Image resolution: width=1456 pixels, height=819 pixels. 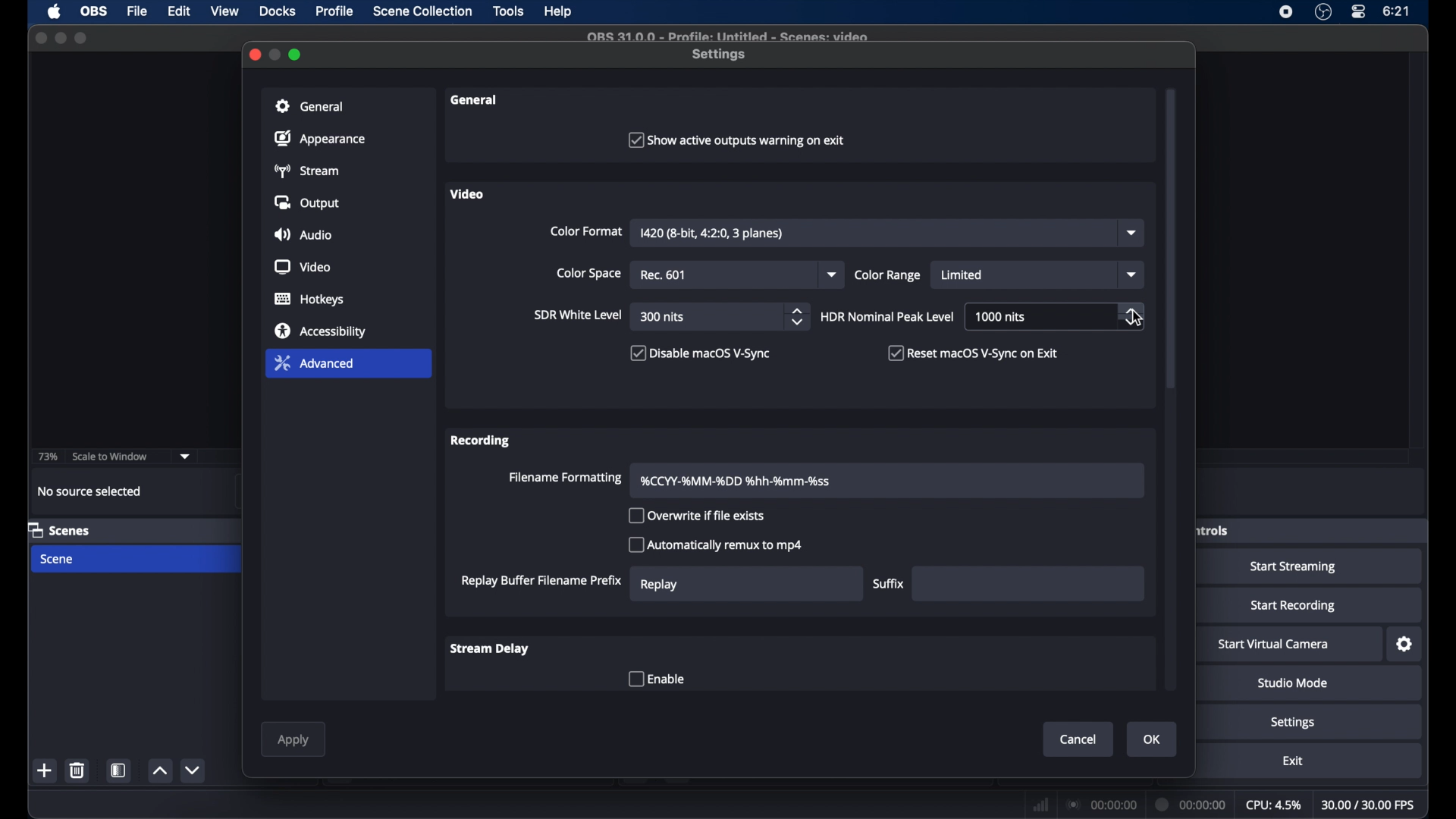 I want to click on dropdown, so click(x=1131, y=275).